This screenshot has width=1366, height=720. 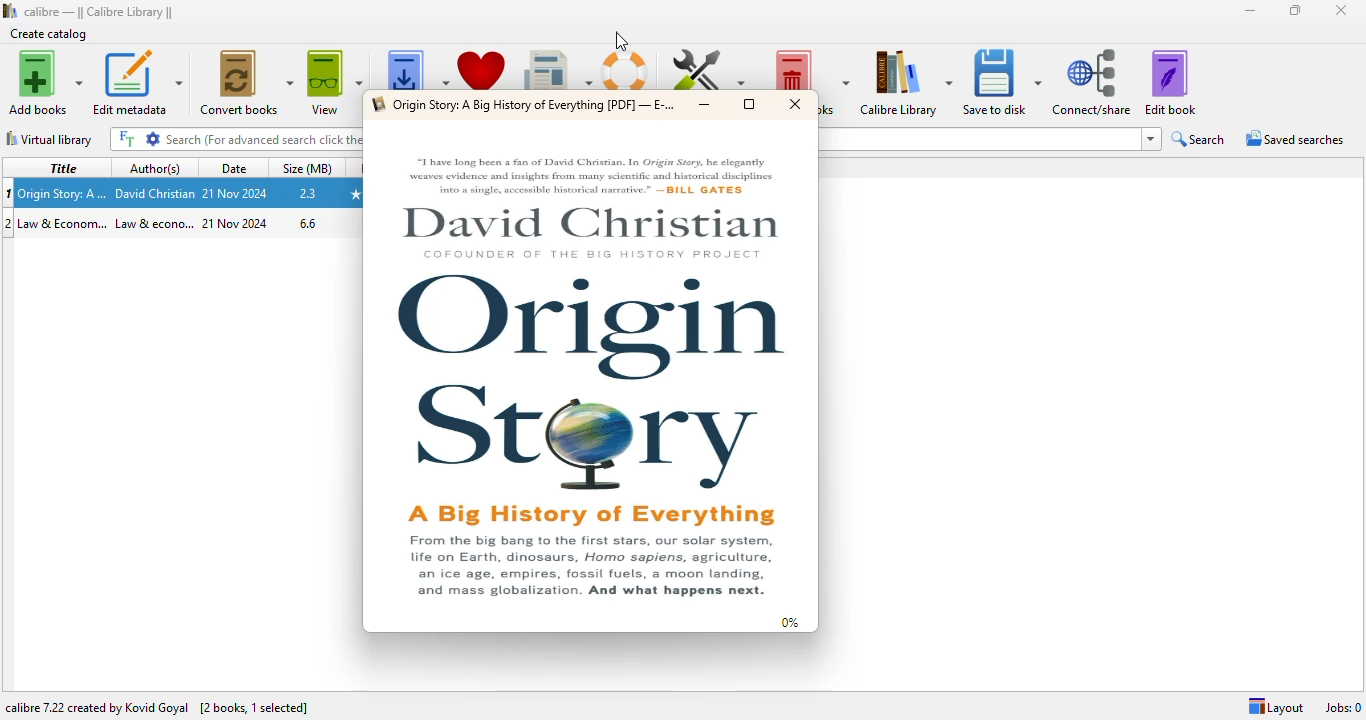 What do you see at coordinates (236, 168) in the screenshot?
I see `date` at bounding box center [236, 168].